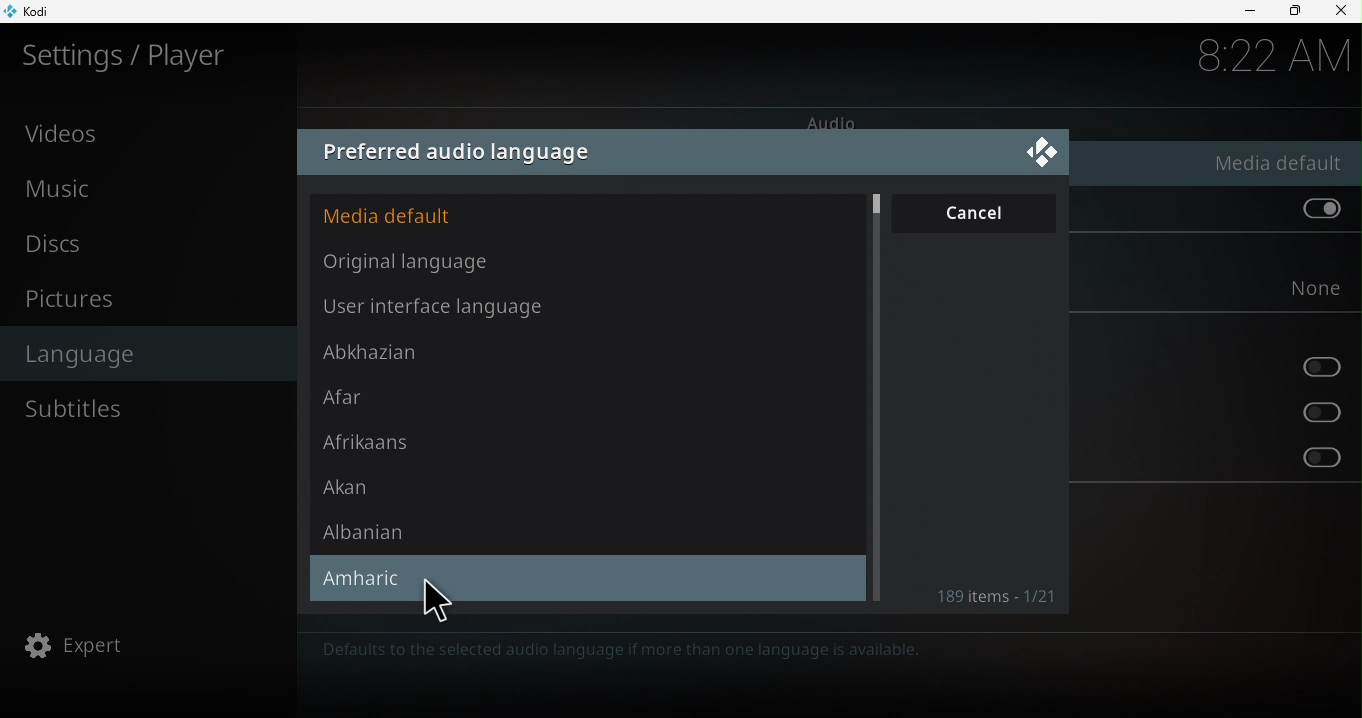 This screenshot has height=718, width=1362. What do you see at coordinates (1313, 411) in the screenshot?
I see `Prefer audio stream for the hearing impaired` at bounding box center [1313, 411].